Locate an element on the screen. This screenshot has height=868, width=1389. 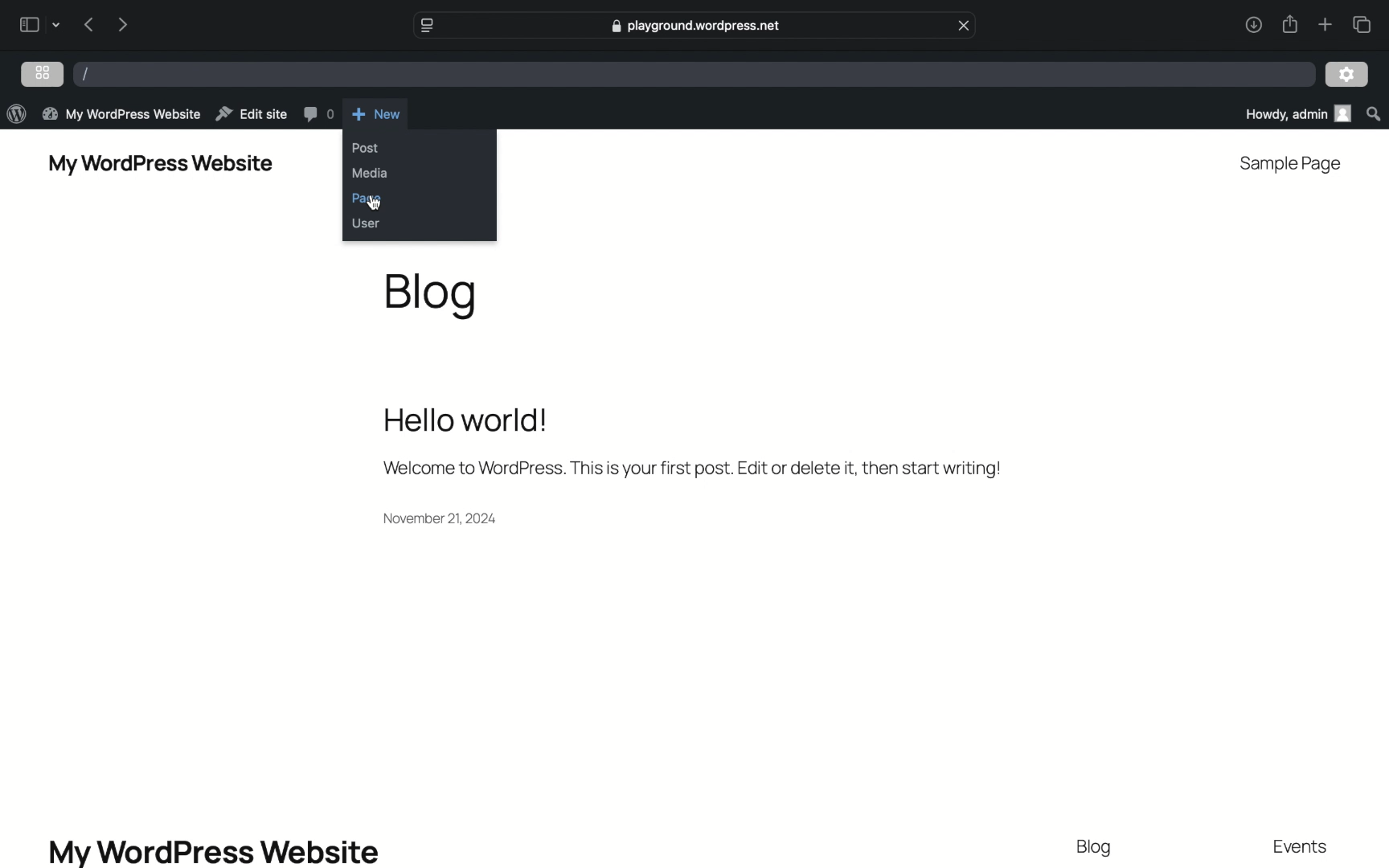
web address is located at coordinates (695, 26).